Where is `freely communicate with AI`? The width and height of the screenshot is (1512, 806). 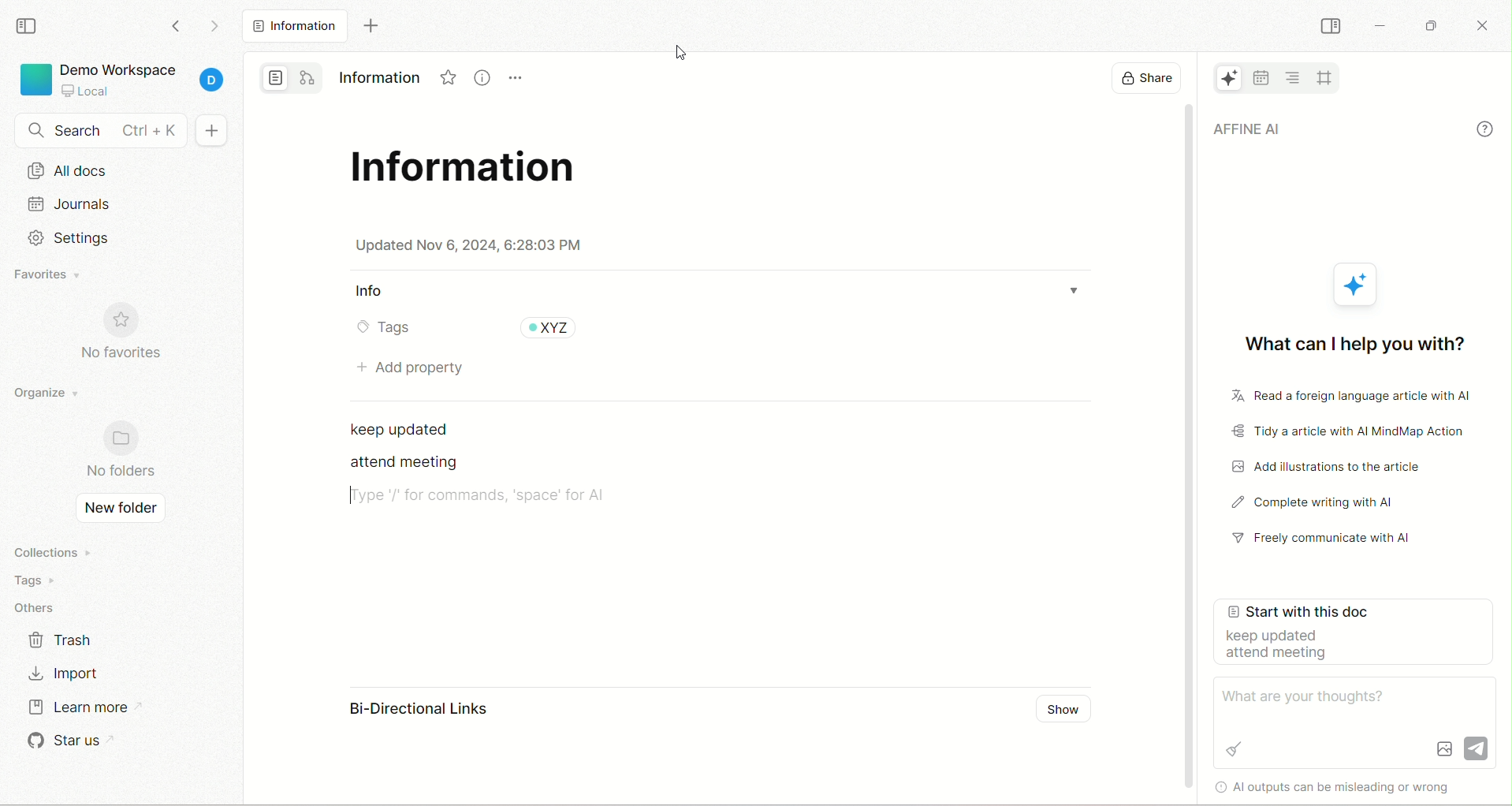 freely communicate with AI is located at coordinates (1330, 542).